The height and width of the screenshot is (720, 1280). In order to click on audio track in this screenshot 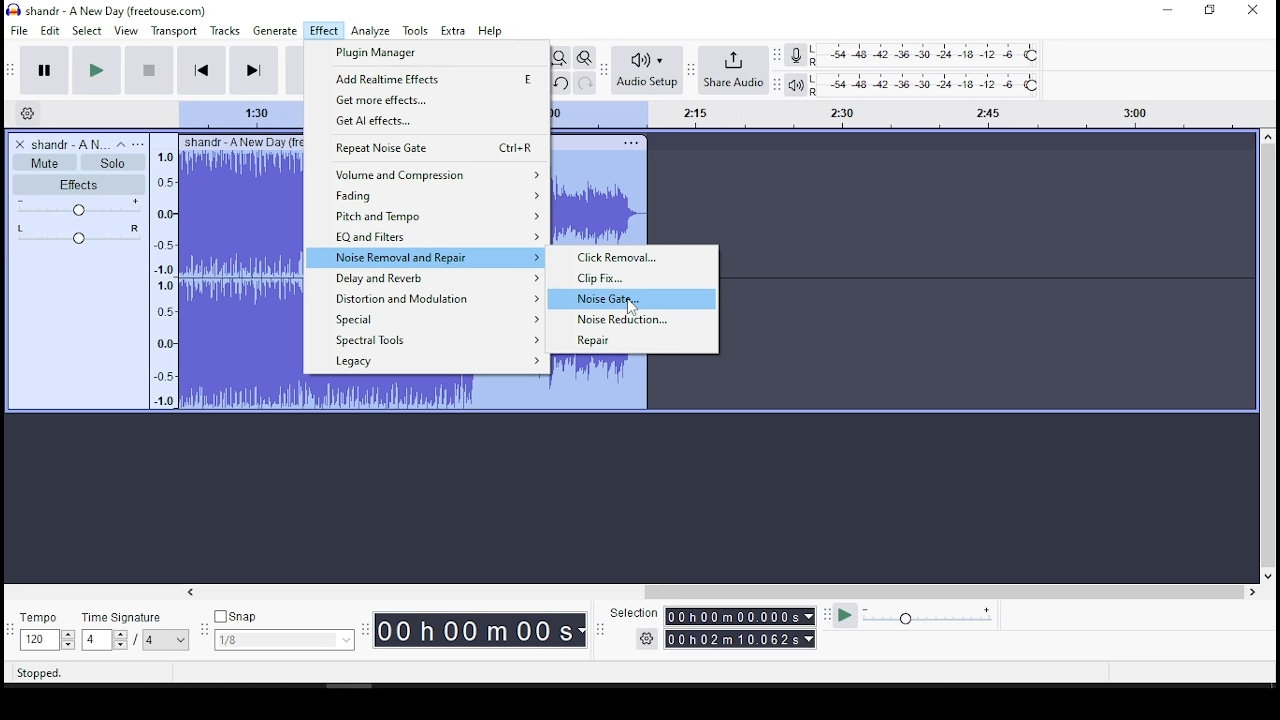, I will do `click(599, 194)`.